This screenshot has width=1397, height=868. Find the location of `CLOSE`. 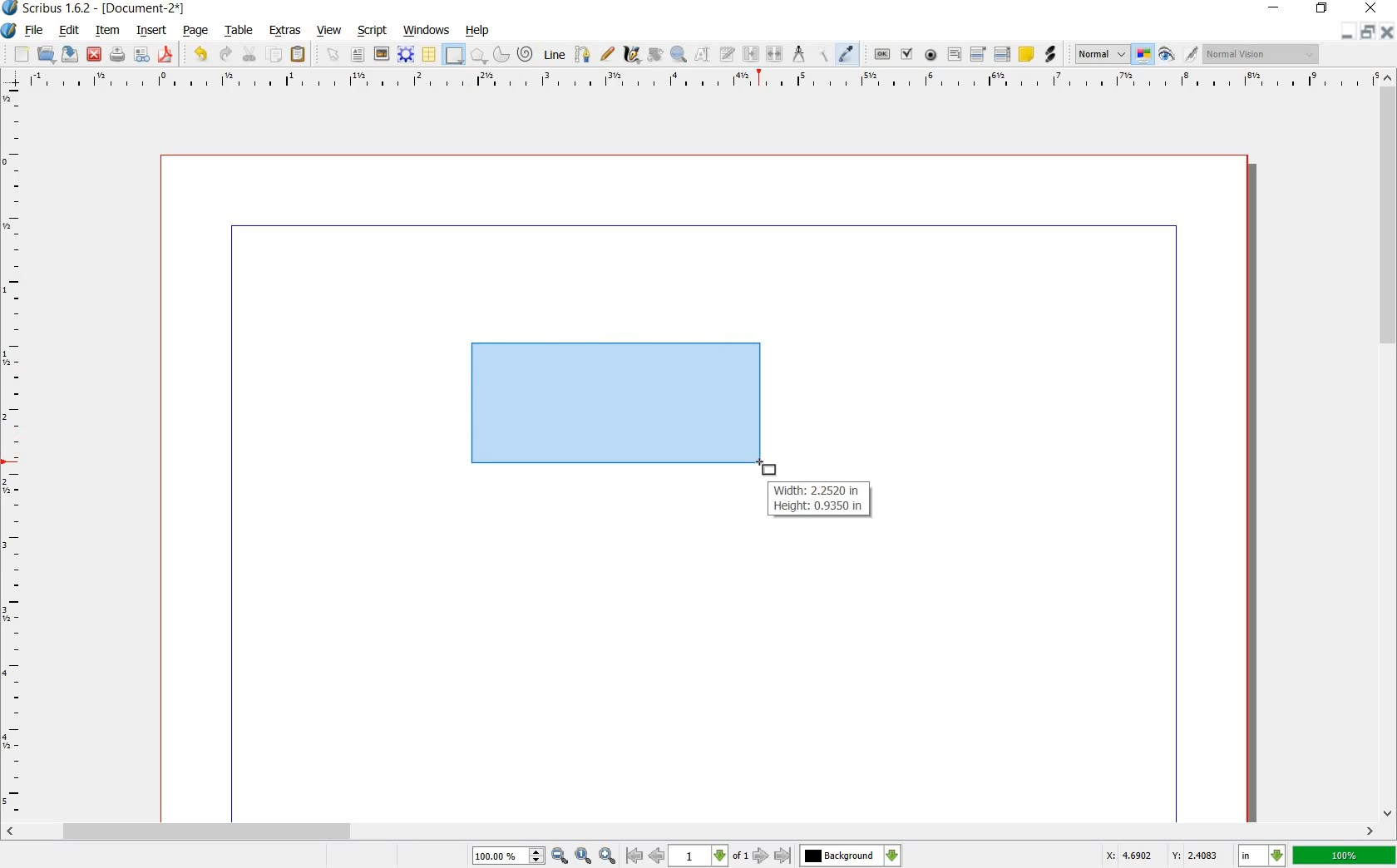

CLOSE is located at coordinates (94, 54).